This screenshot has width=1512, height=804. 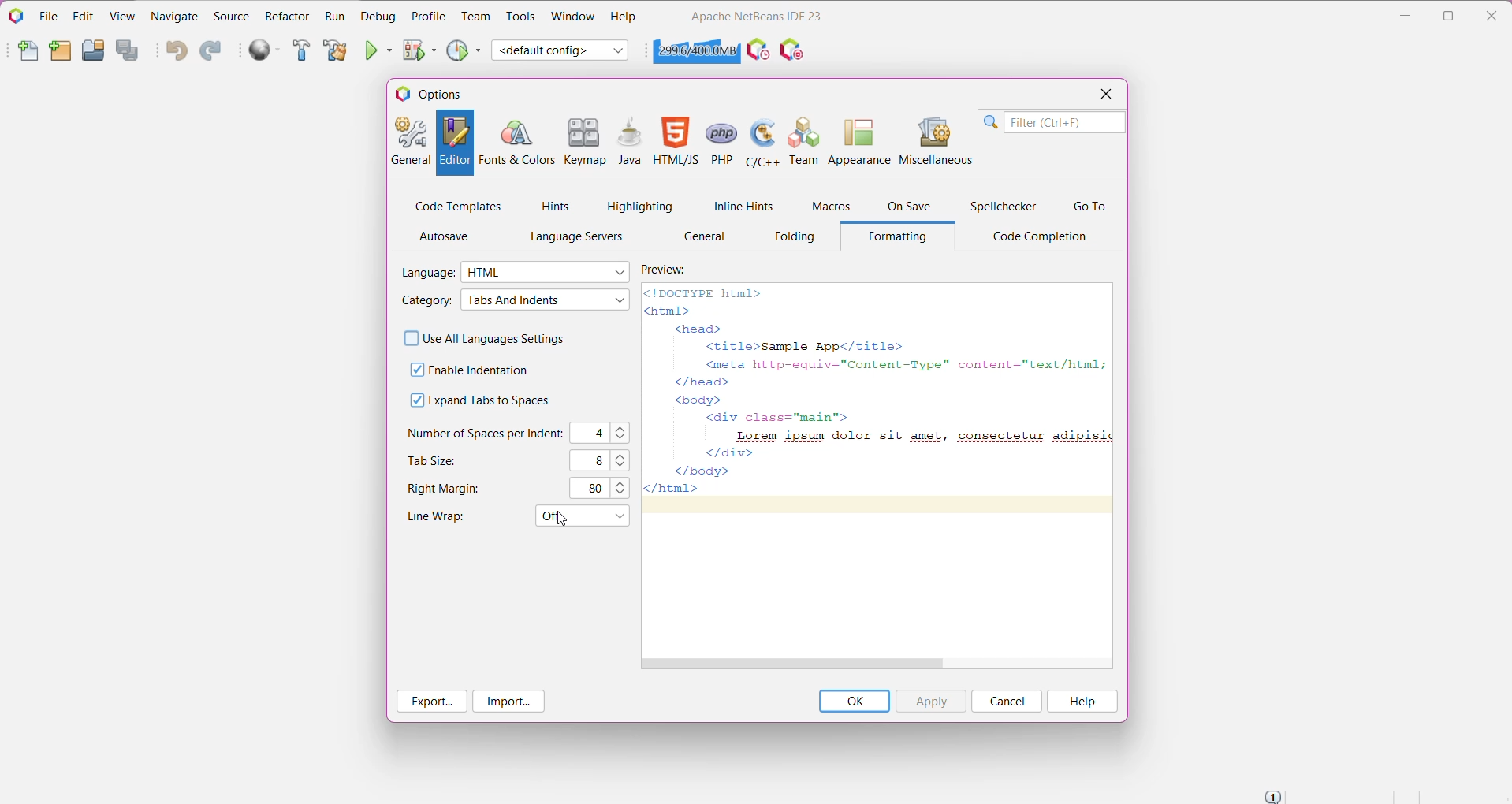 What do you see at coordinates (756, 16) in the screenshot?
I see `Application Name` at bounding box center [756, 16].